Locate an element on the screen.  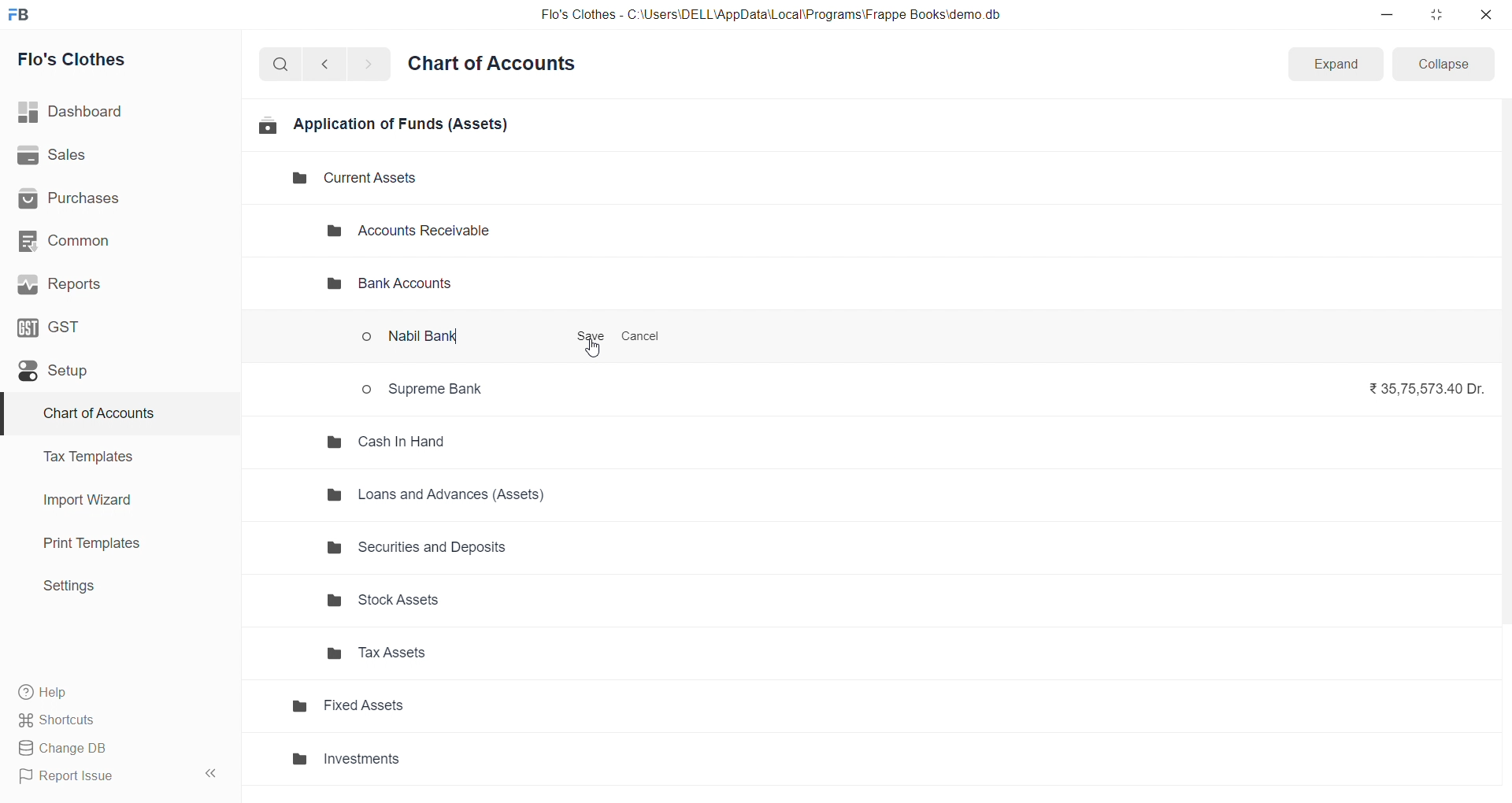
Stock Assets is located at coordinates (450, 601).